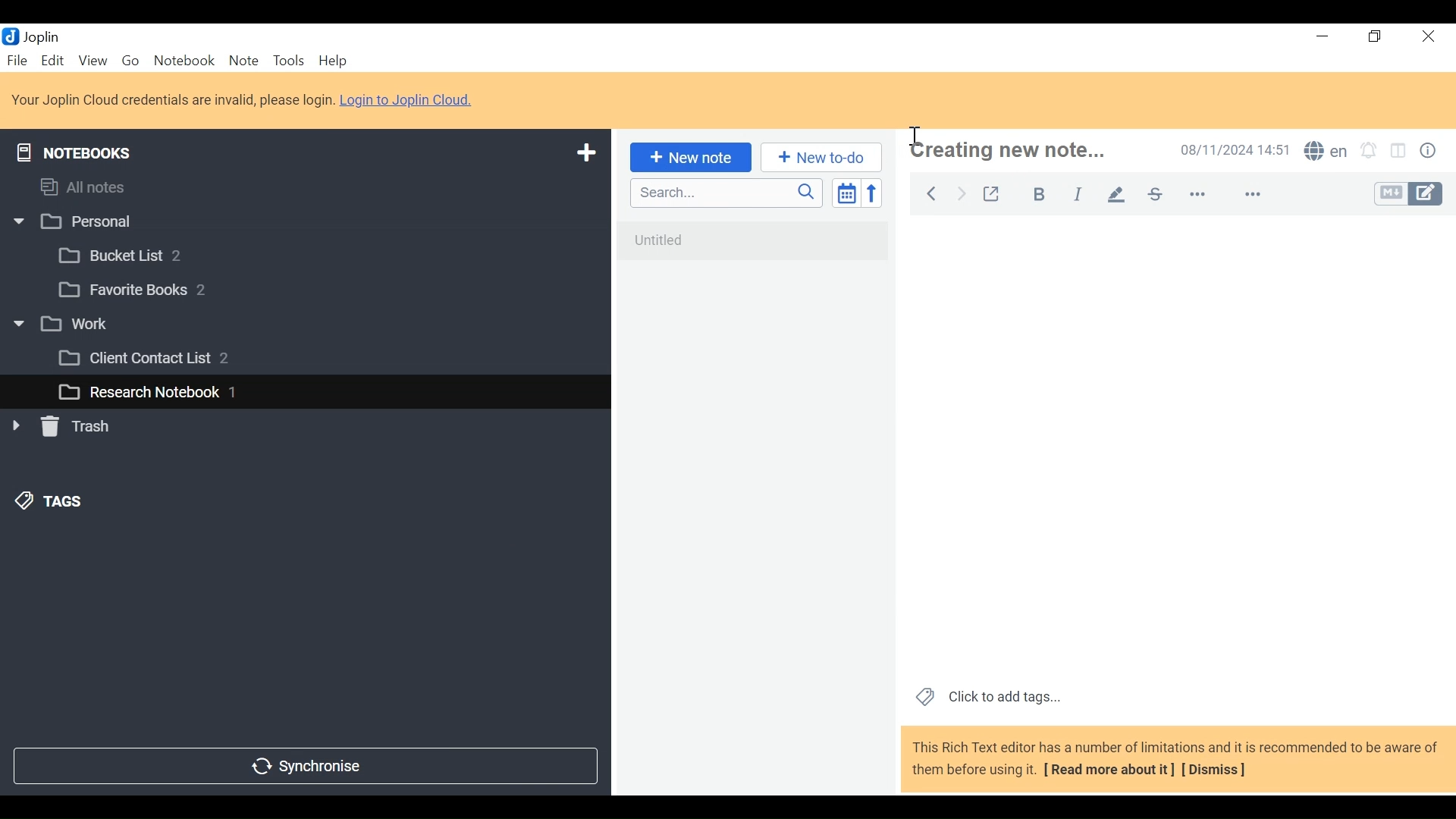 The image size is (1456, 819). I want to click on Note Name, so click(1025, 152).